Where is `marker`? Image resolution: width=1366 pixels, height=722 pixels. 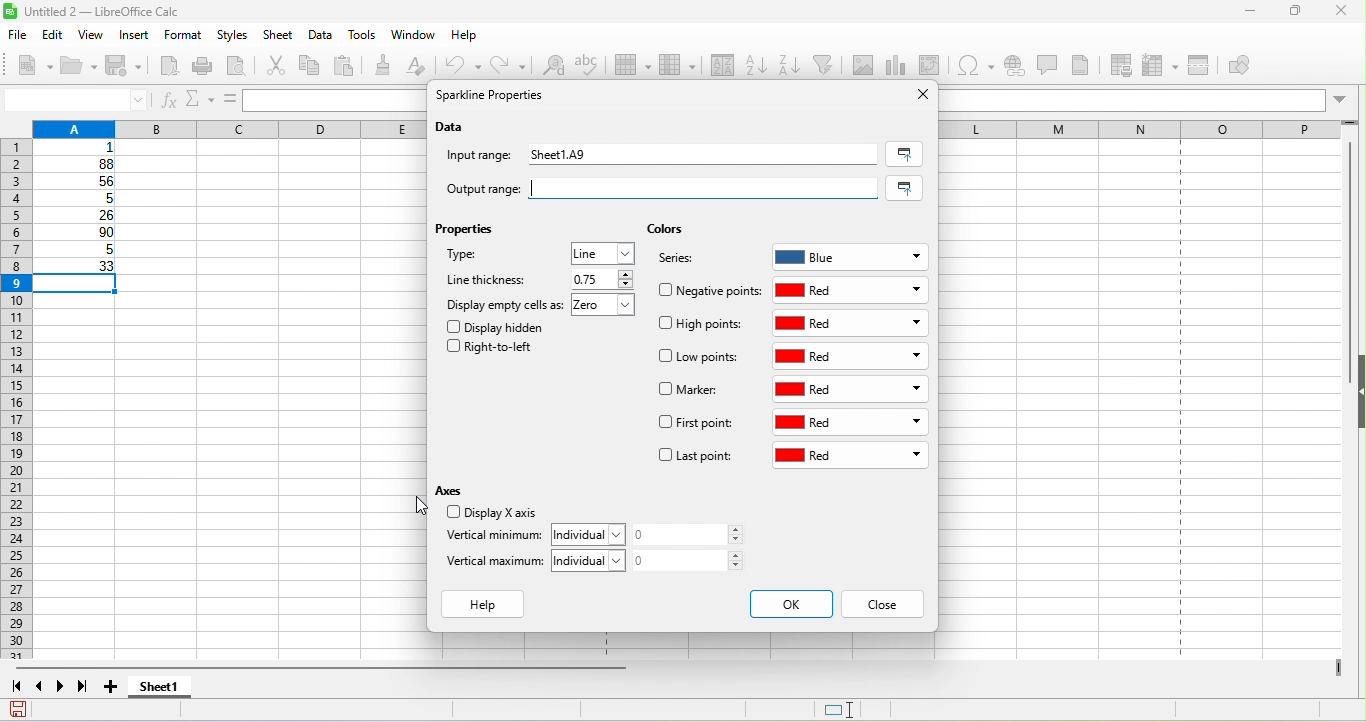 marker is located at coordinates (692, 391).